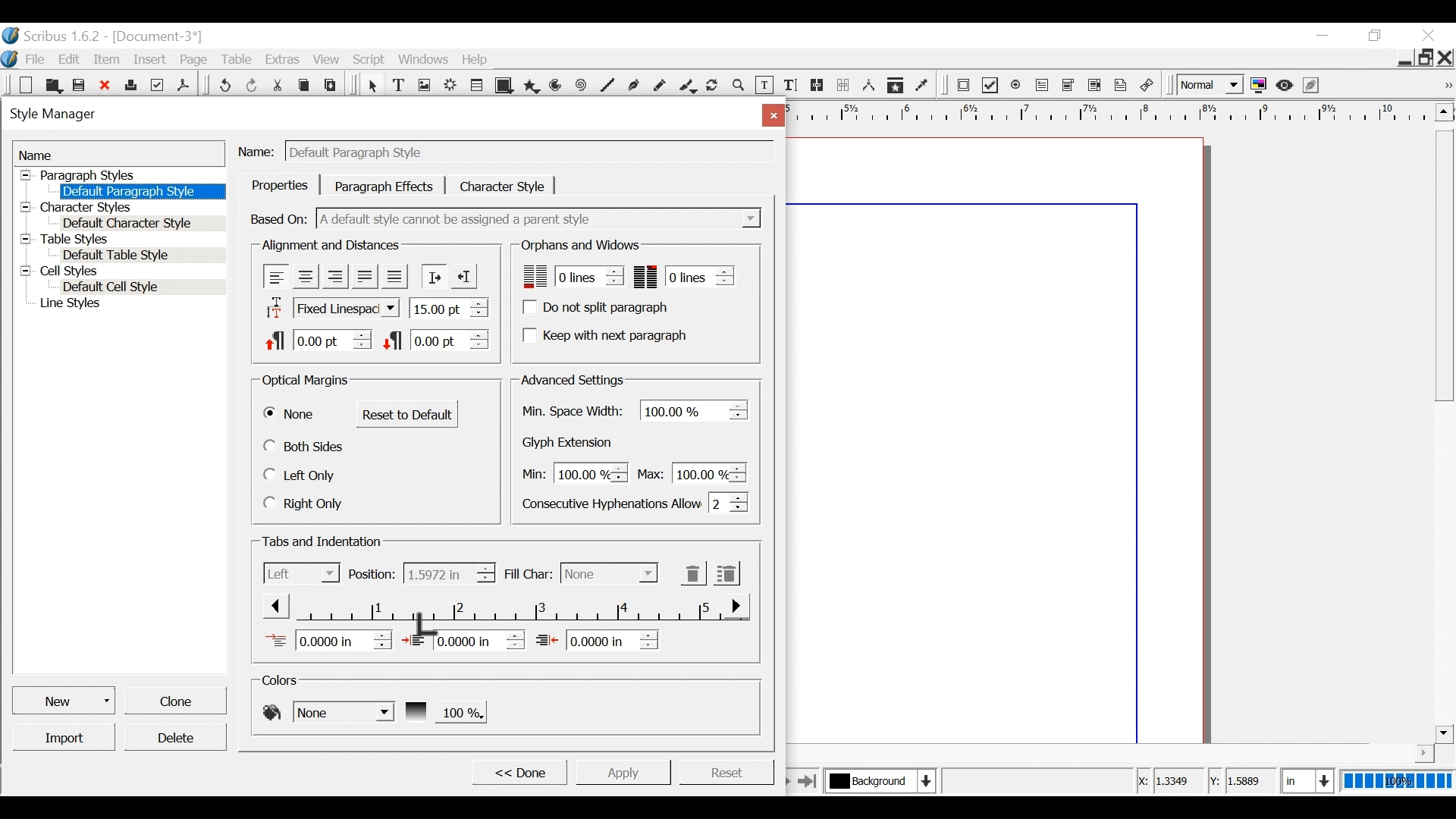 This screenshot has width=1456, height=819. I want to click on undo, so click(224, 83).